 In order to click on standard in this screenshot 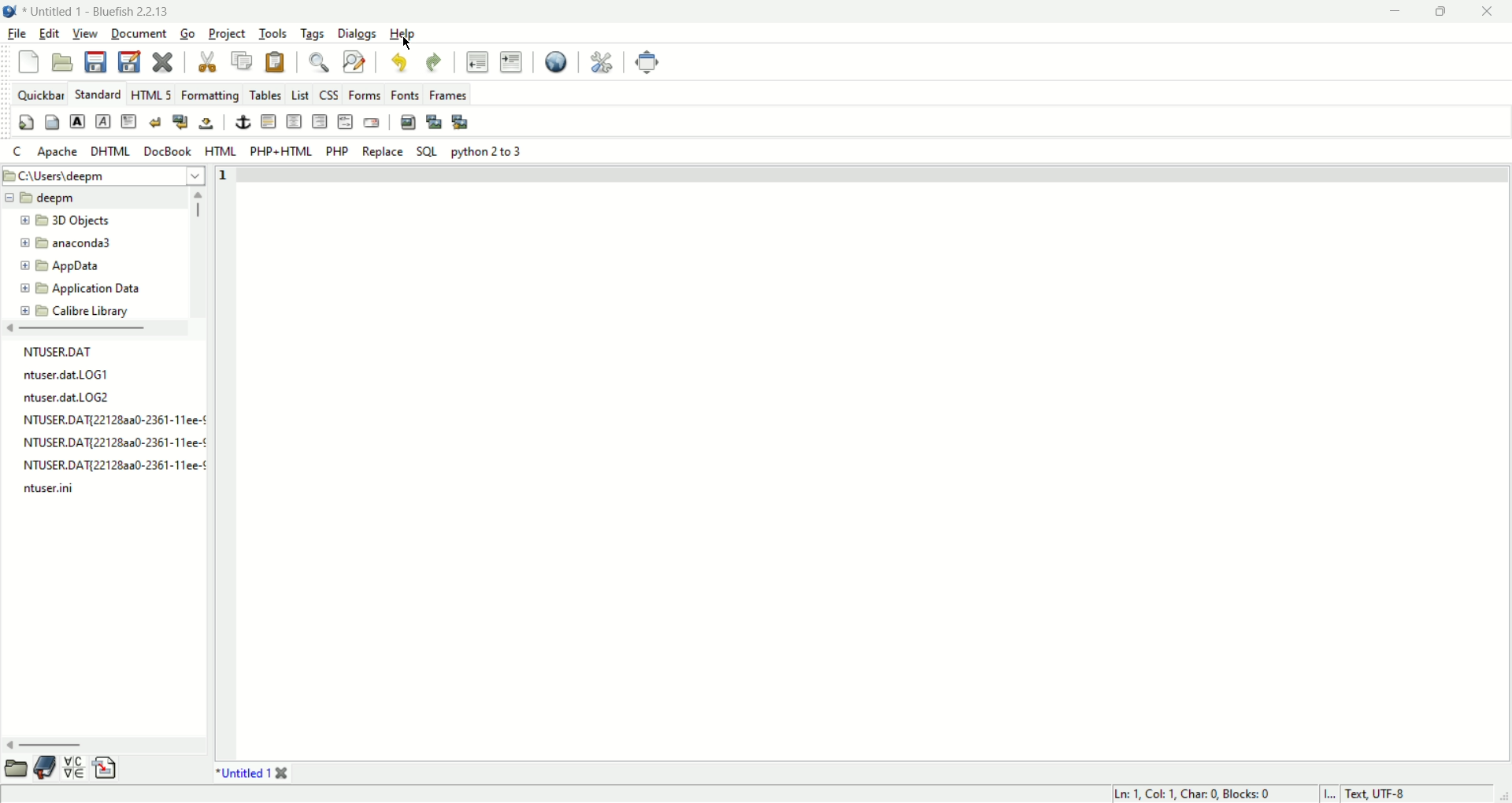, I will do `click(98, 94)`.